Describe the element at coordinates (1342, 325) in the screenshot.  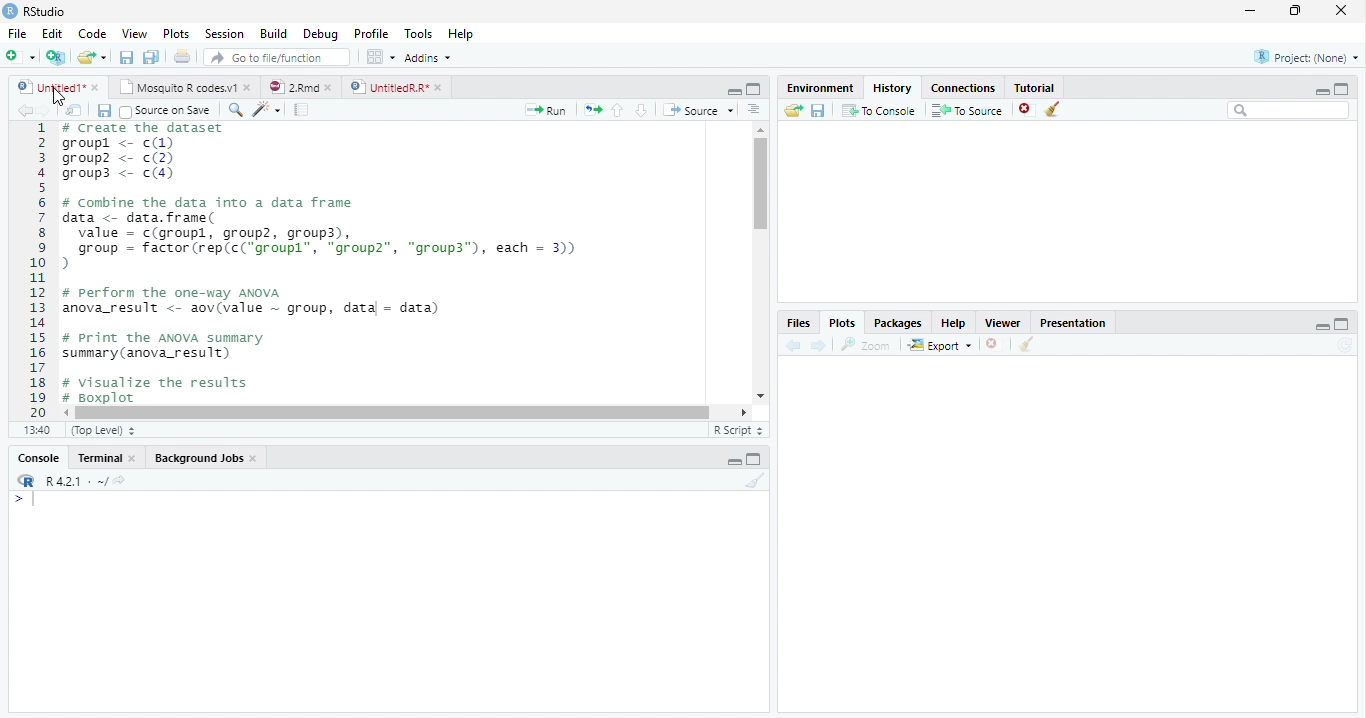
I see `Maximize` at that location.